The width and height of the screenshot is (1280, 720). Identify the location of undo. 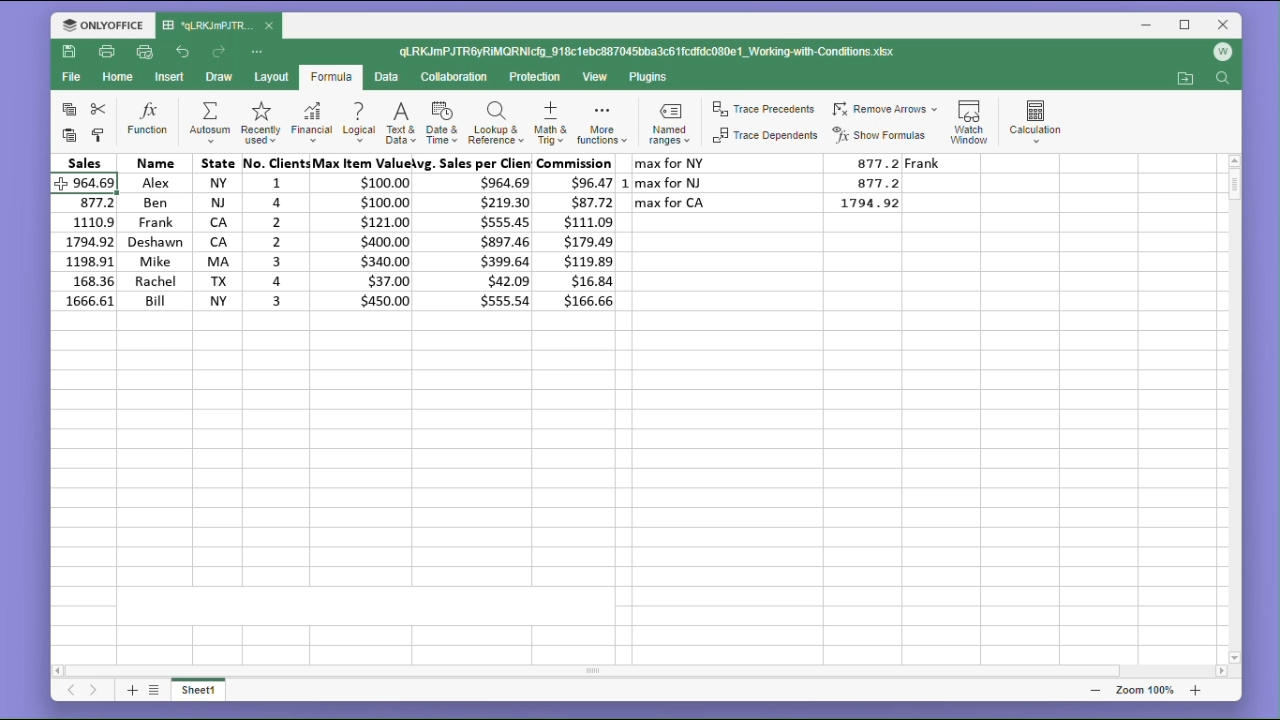
(183, 50).